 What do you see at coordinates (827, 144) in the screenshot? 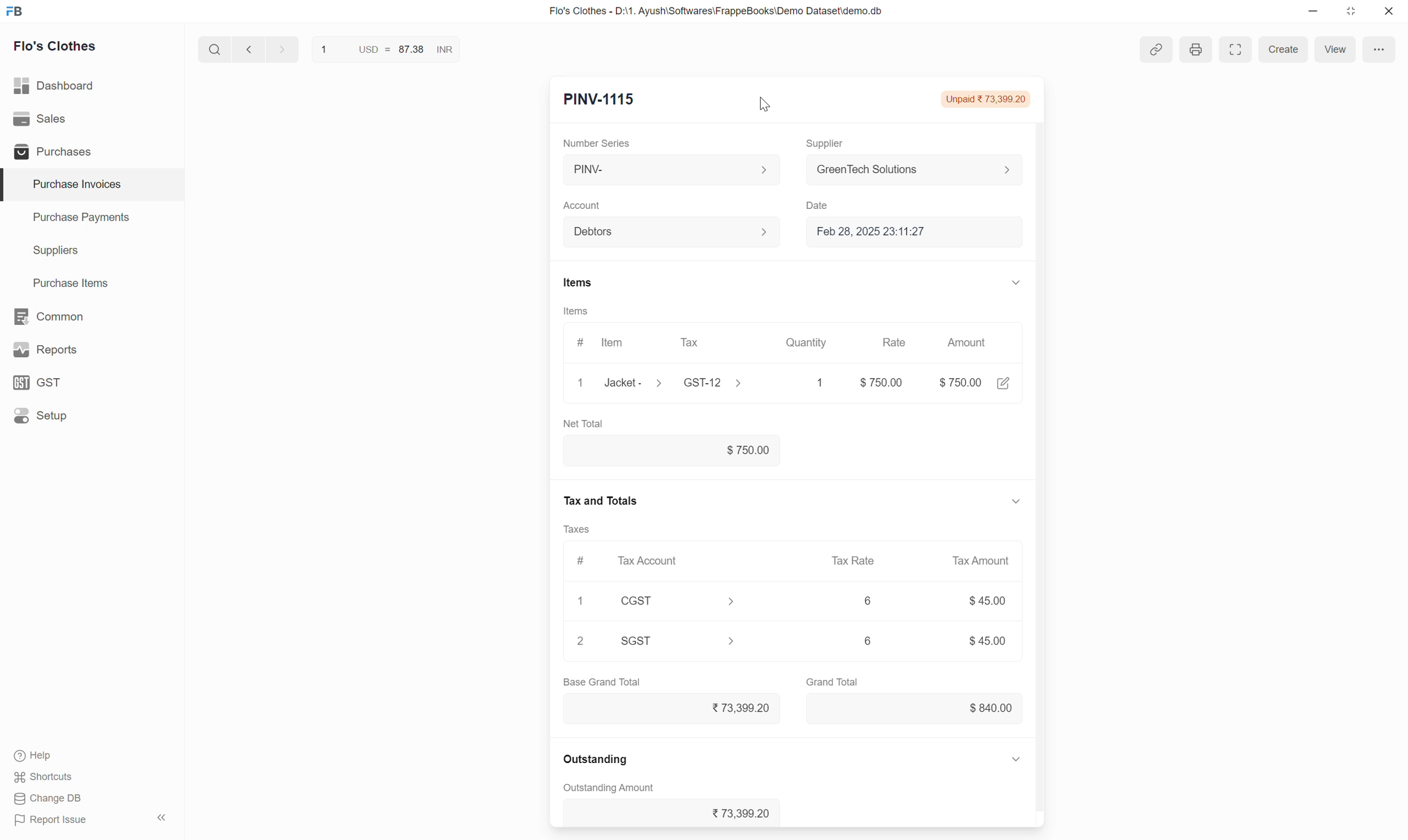
I see `Supplier` at bounding box center [827, 144].